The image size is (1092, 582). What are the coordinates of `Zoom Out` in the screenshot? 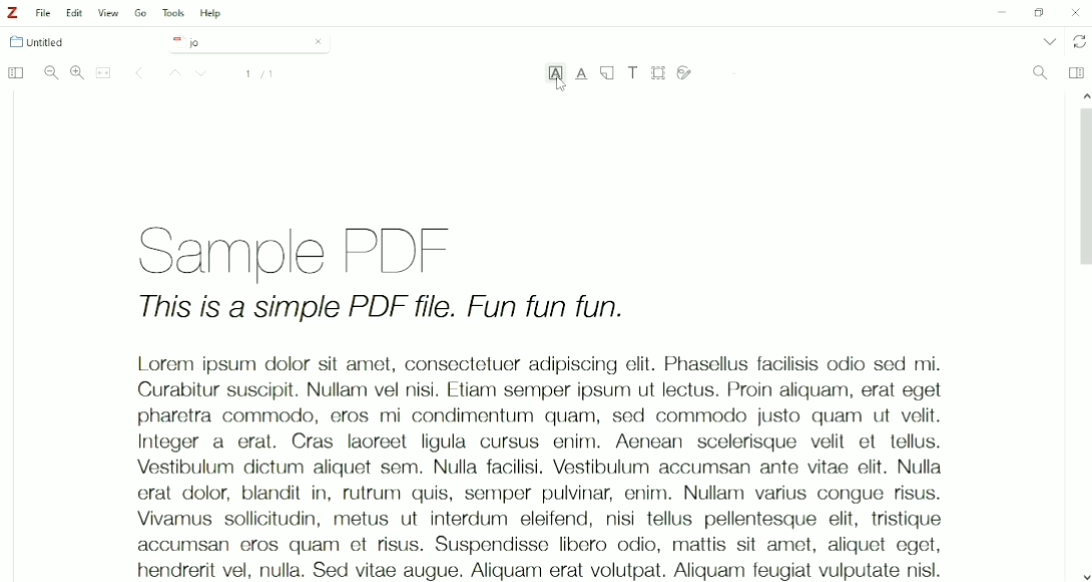 It's located at (51, 73).